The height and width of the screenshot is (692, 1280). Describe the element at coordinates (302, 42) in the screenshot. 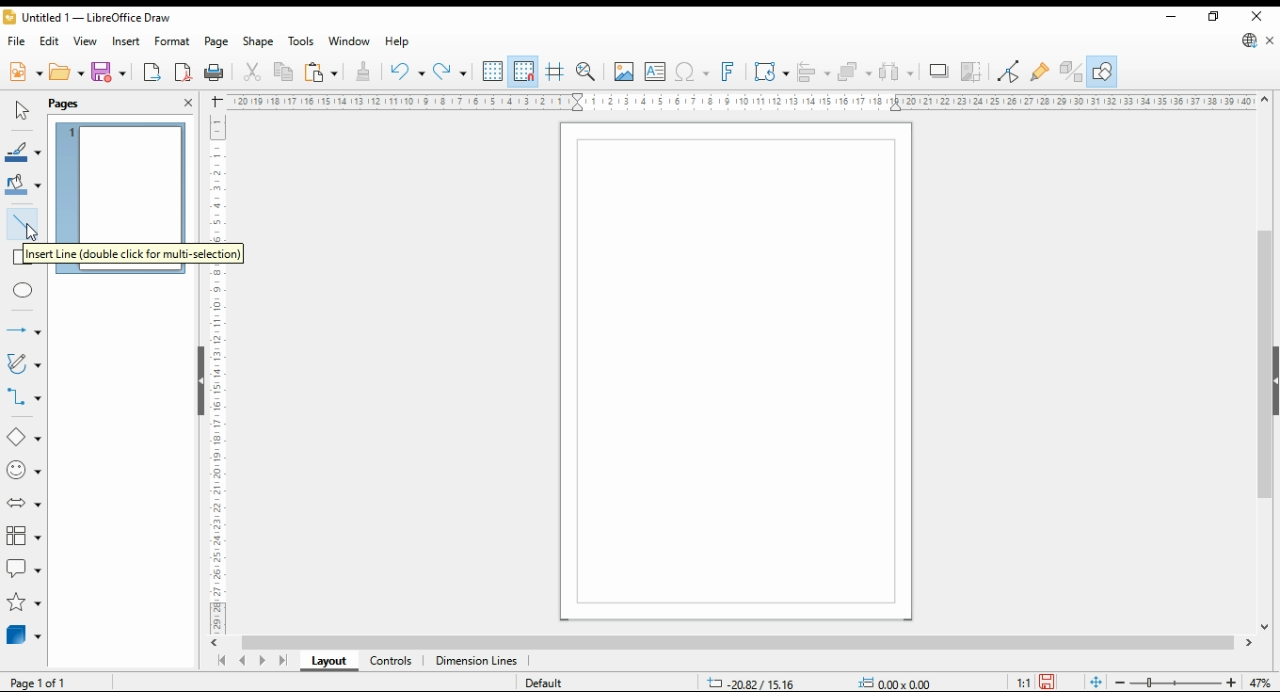

I see `tools` at that location.